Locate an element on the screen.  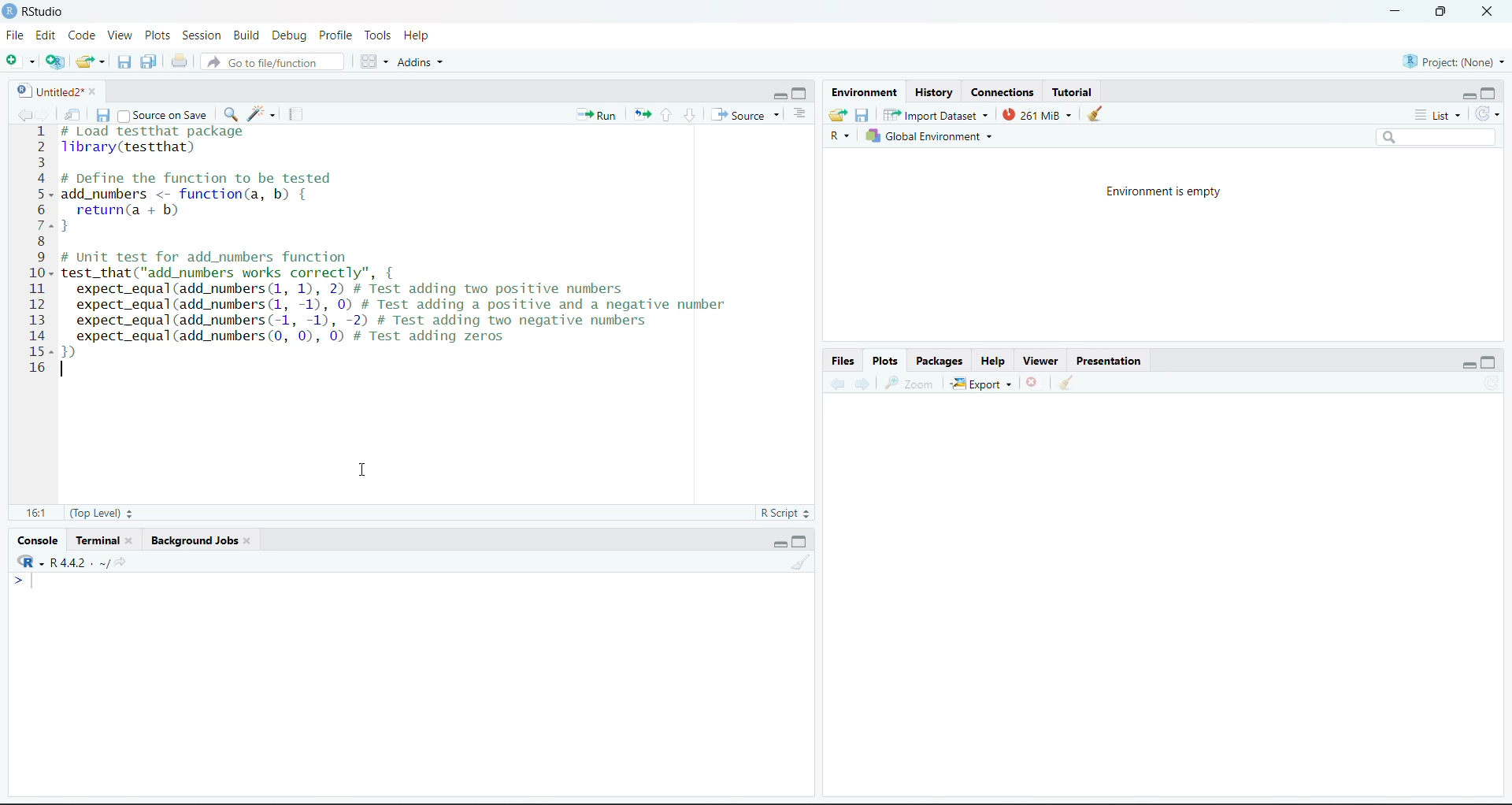
List is located at coordinates (1438, 114).